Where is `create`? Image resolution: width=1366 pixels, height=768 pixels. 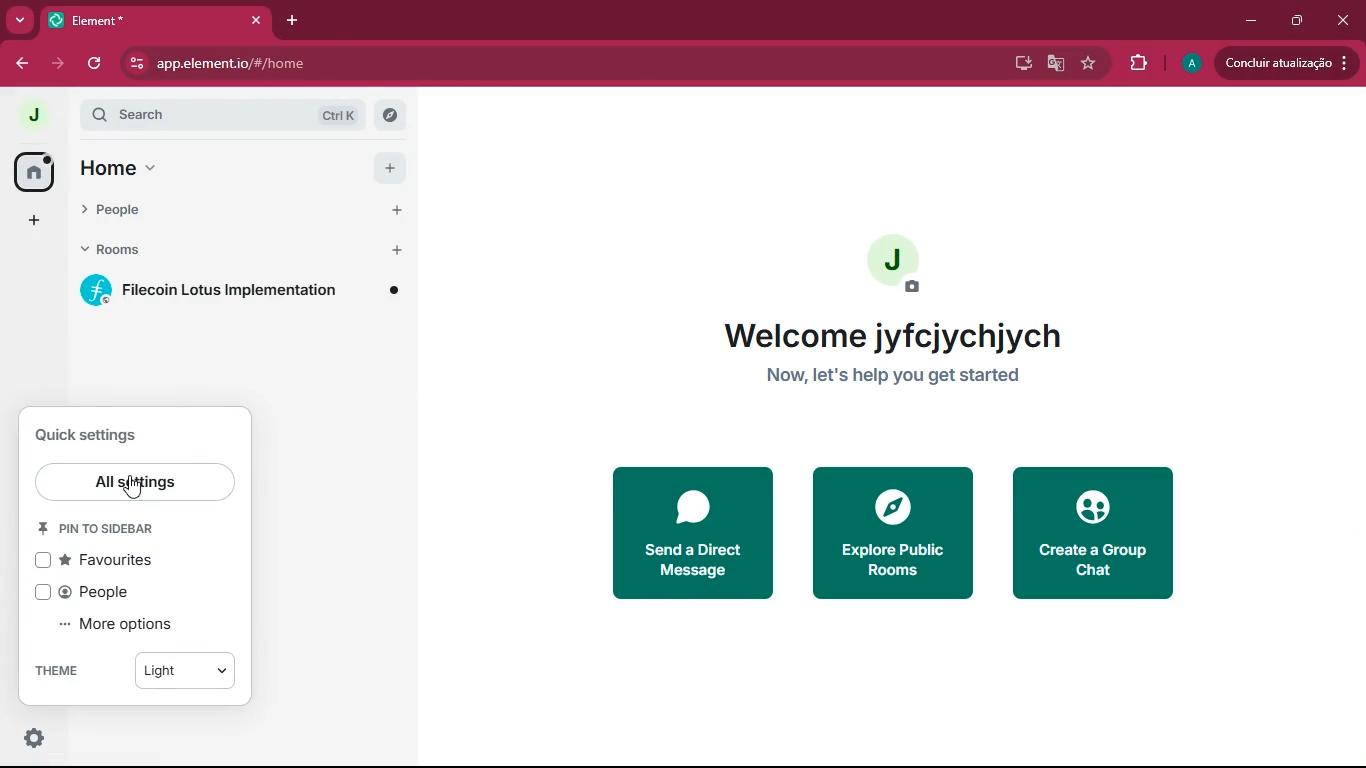
create is located at coordinates (1095, 534).